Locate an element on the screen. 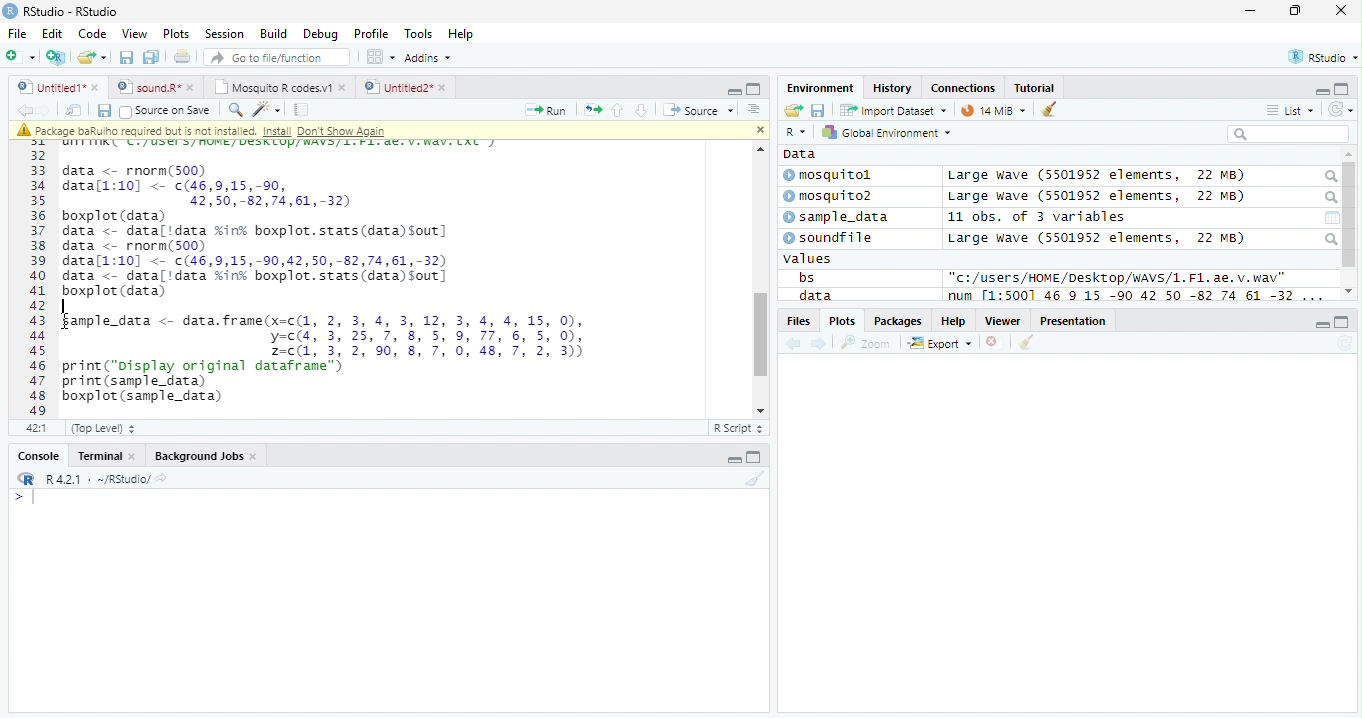  42:1 is located at coordinates (36, 427).